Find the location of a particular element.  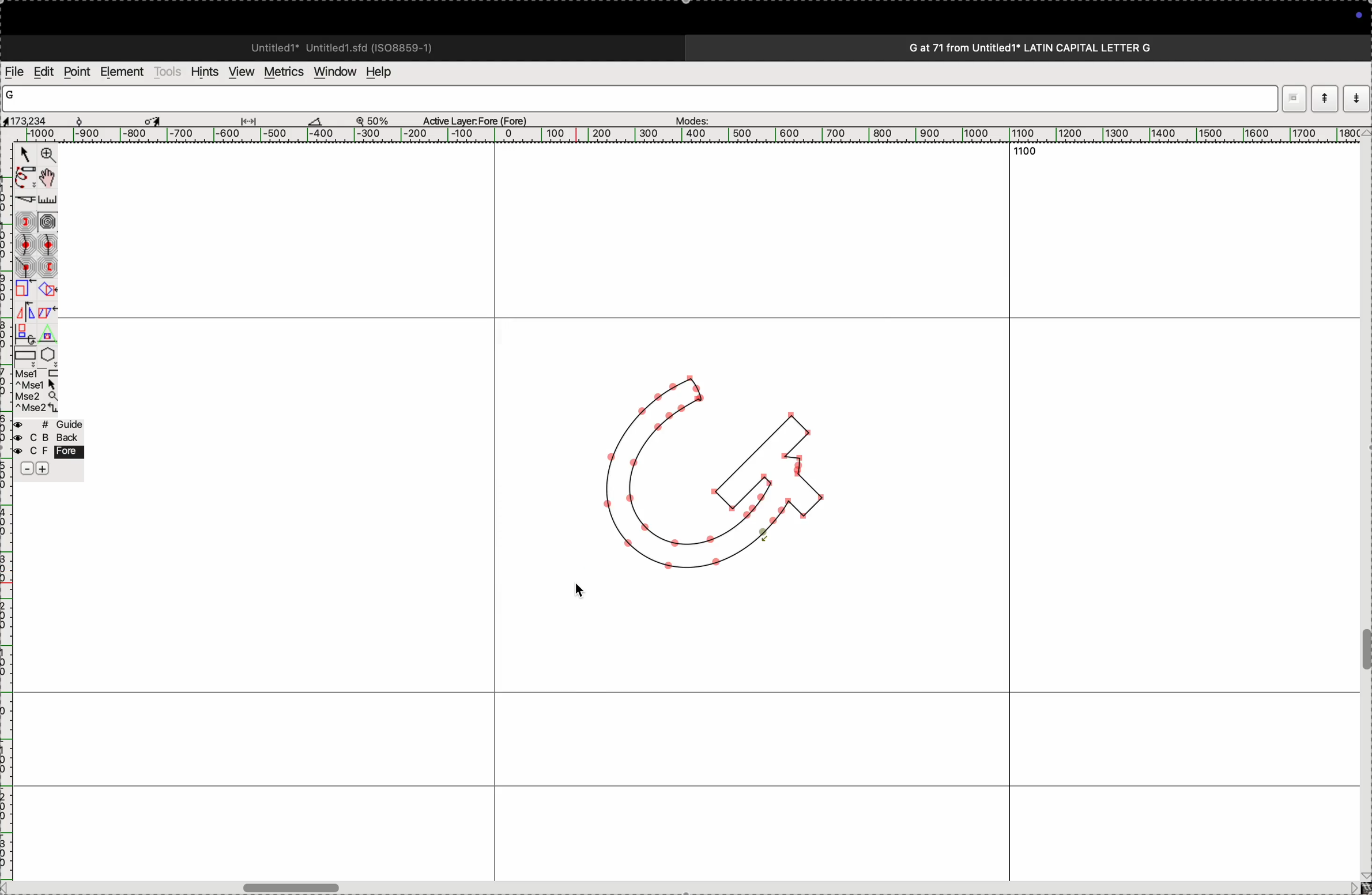

metrics is located at coordinates (285, 71).